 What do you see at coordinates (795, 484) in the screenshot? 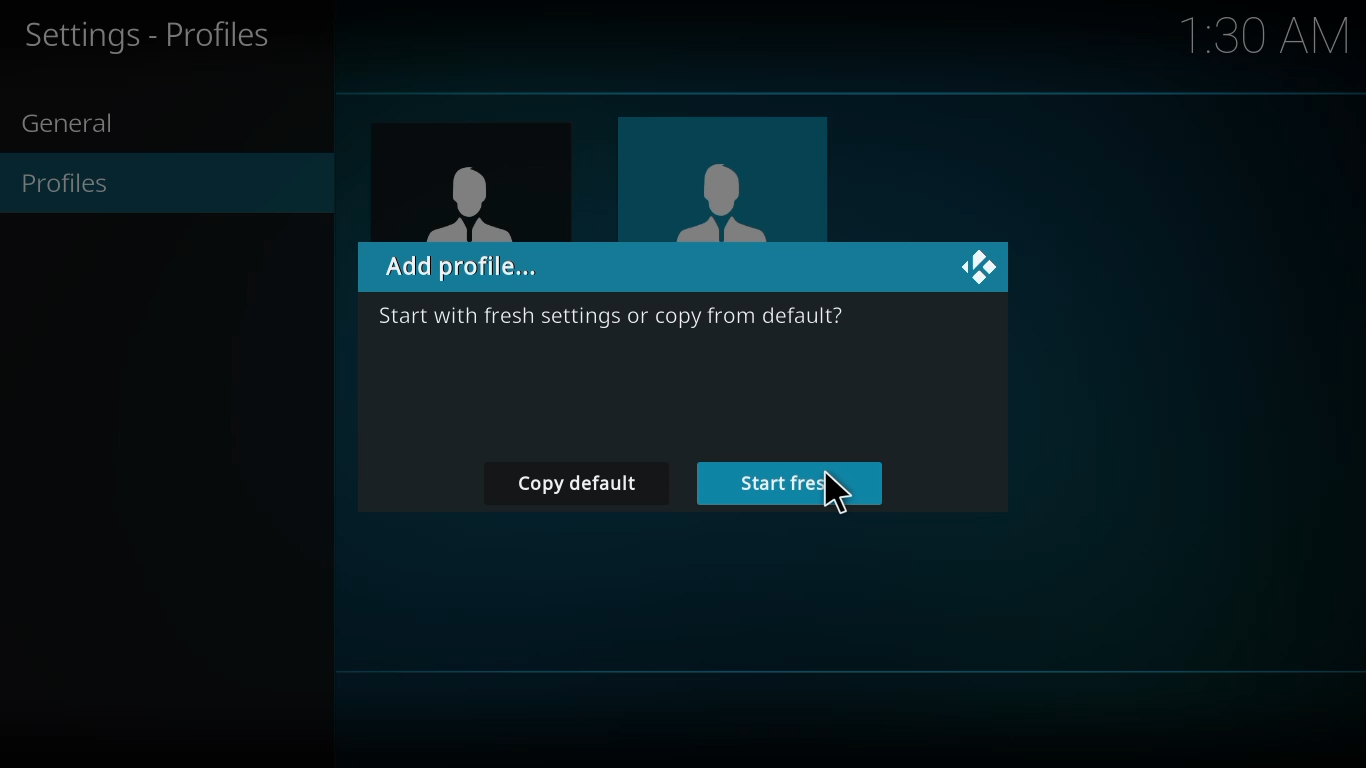
I see `start fresh` at bounding box center [795, 484].